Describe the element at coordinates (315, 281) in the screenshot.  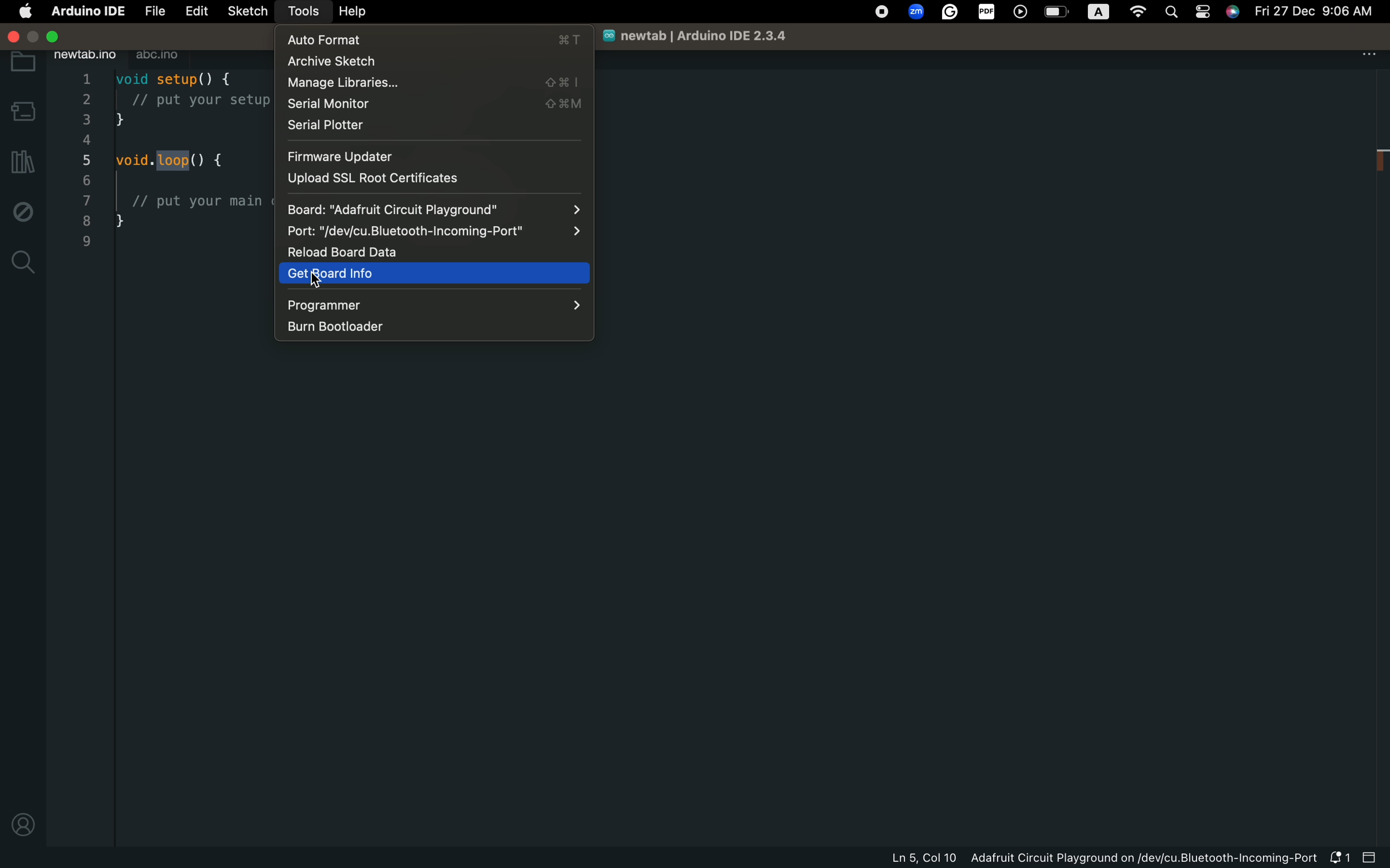
I see `cursor` at that location.